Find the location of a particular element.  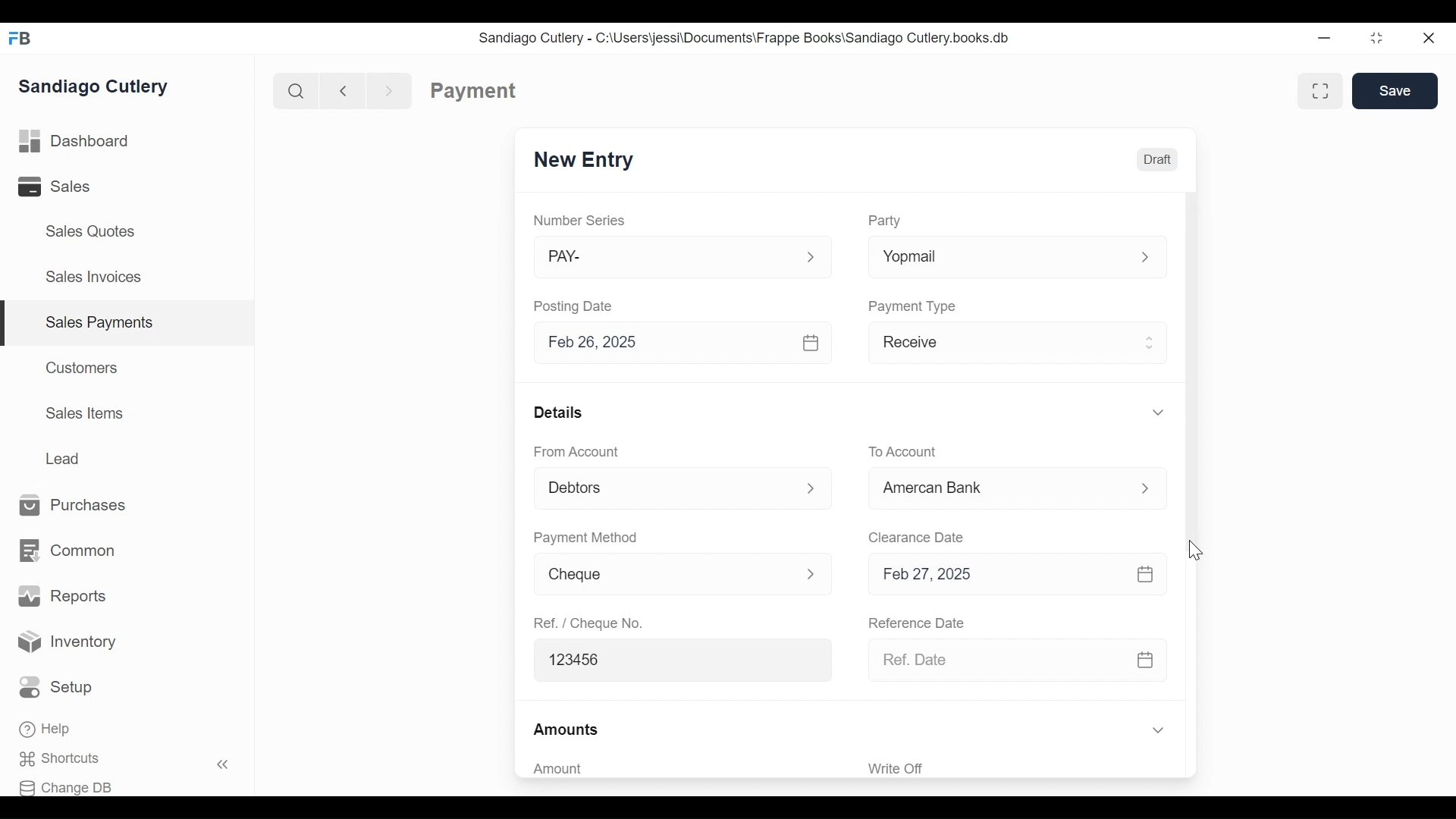

Dashboard is located at coordinates (74, 142).